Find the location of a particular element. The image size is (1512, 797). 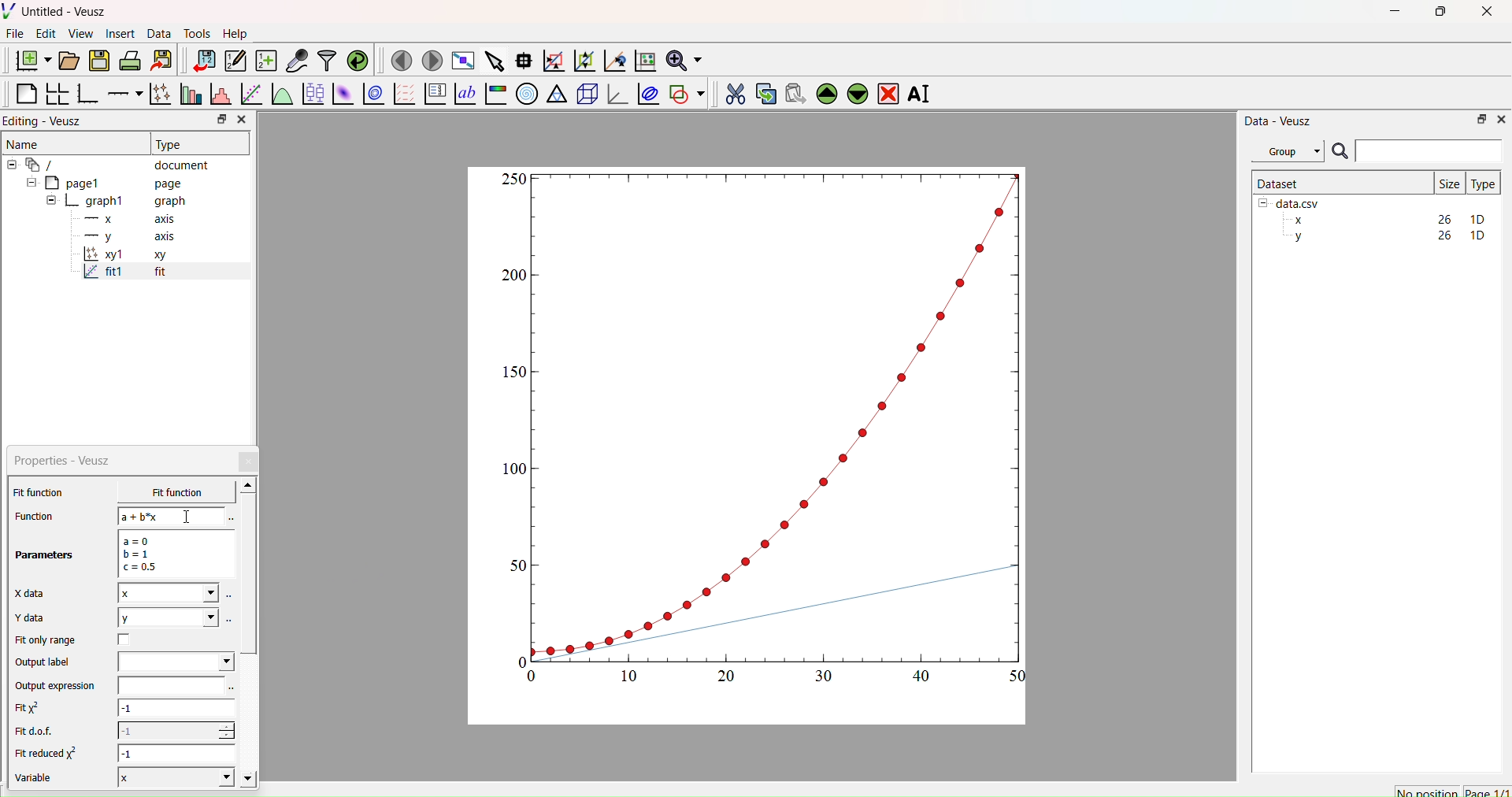

Search is located at coordinates (1340, 152).